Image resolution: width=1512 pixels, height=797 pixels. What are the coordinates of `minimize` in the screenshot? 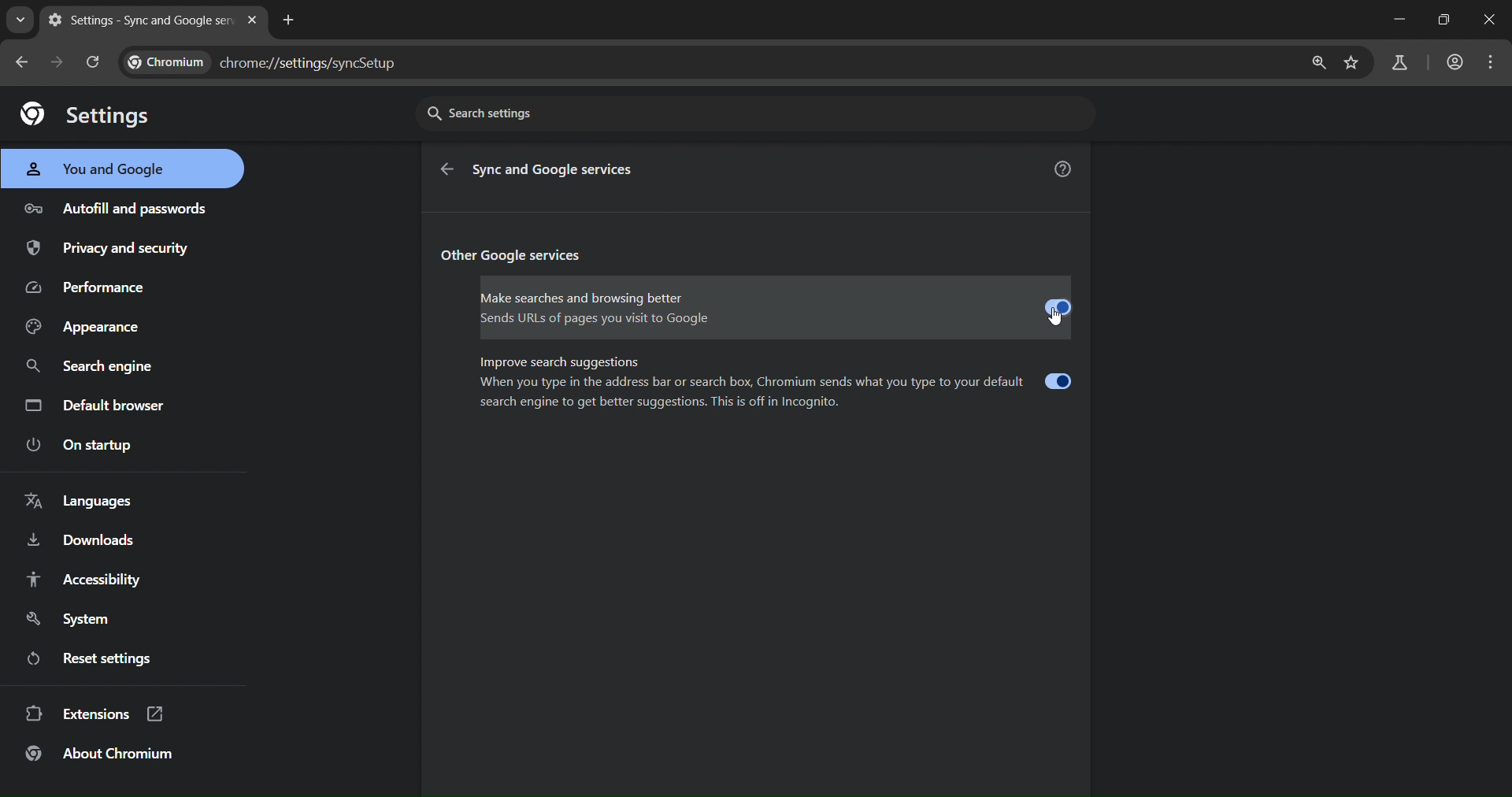 It's located at (1400, 19).